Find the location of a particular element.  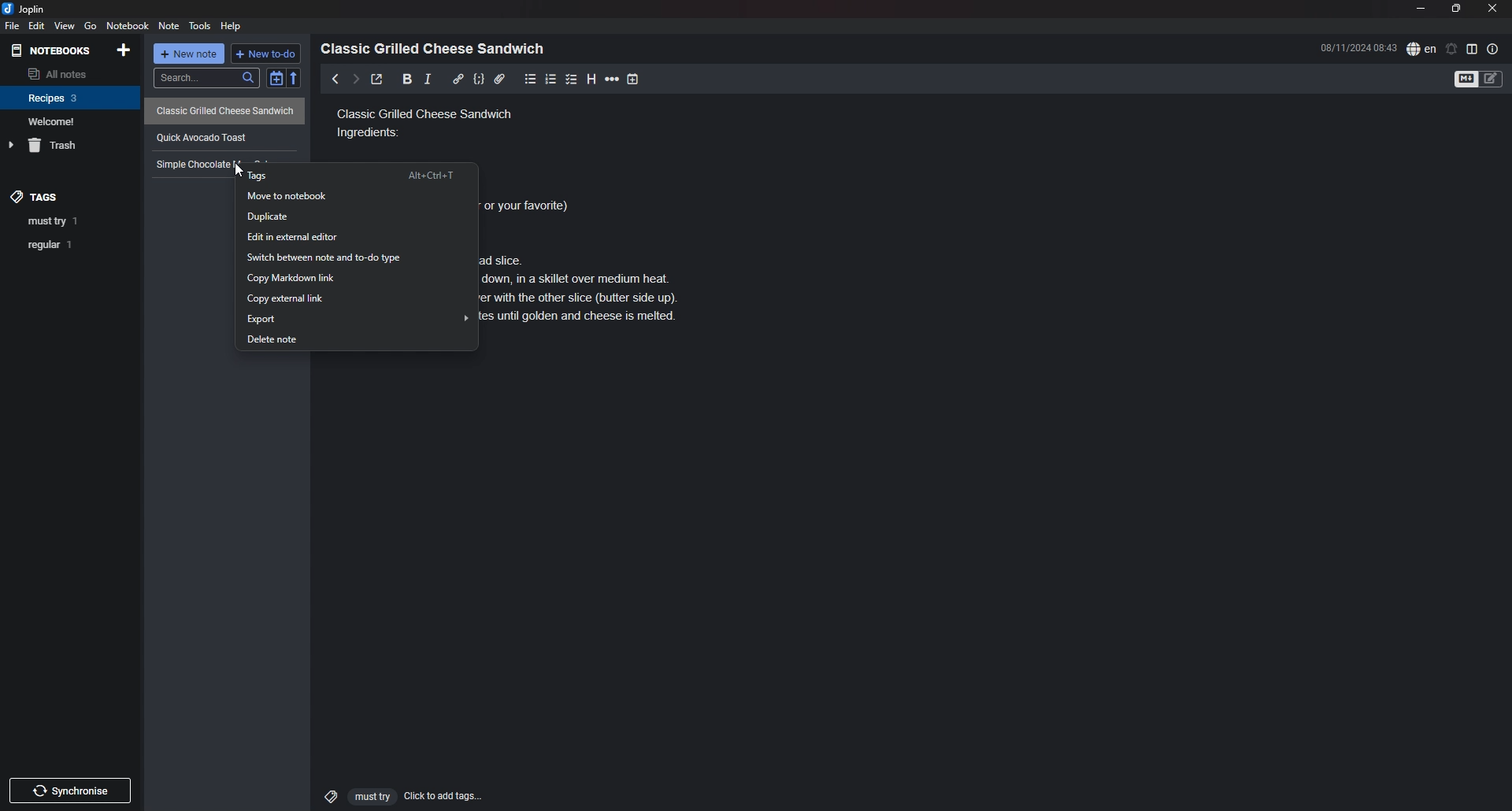

resize is located at coordinates (1456, 9).